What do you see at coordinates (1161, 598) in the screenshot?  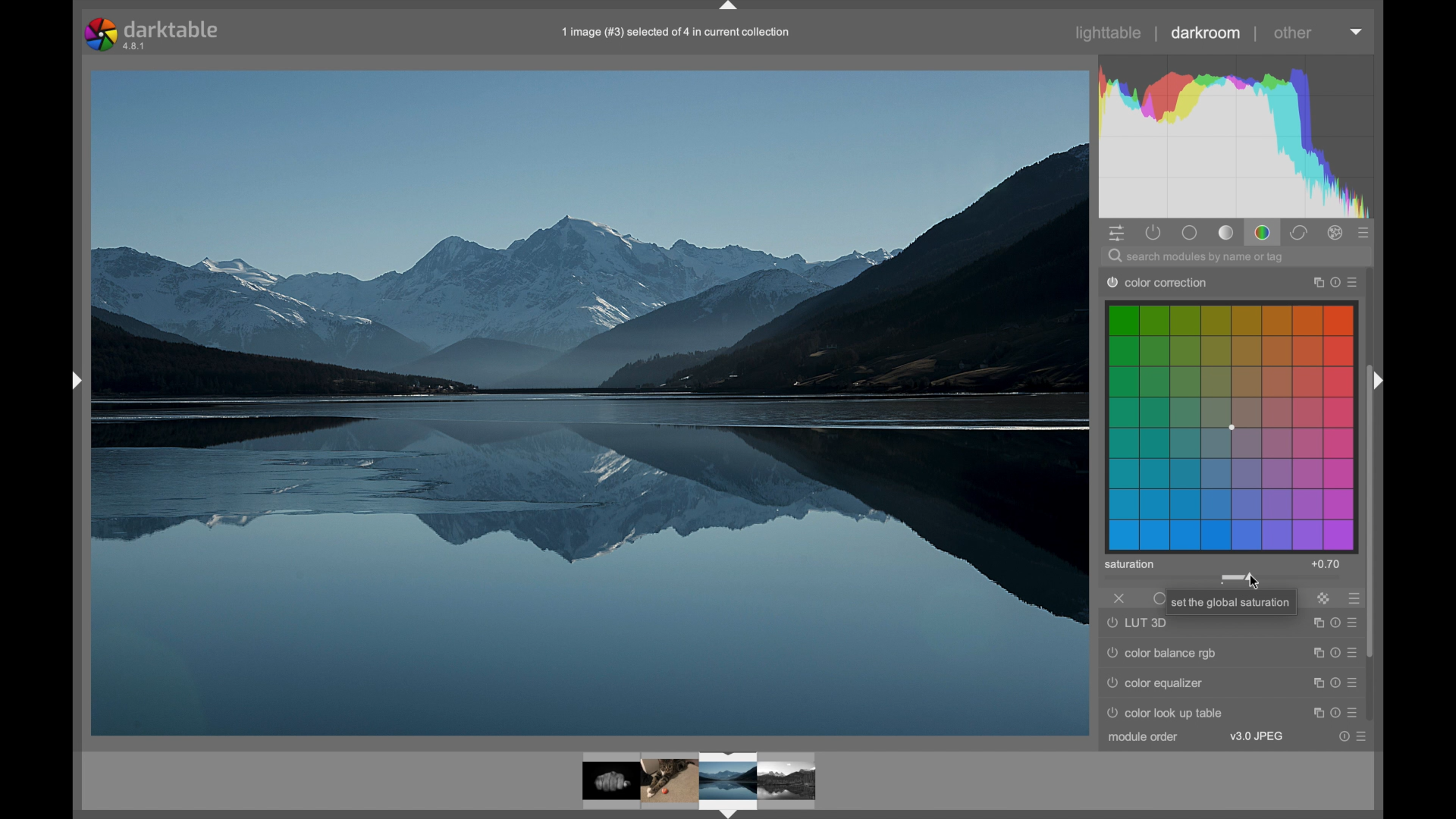 I see `uniformly` at bounding box center [1161, 598].